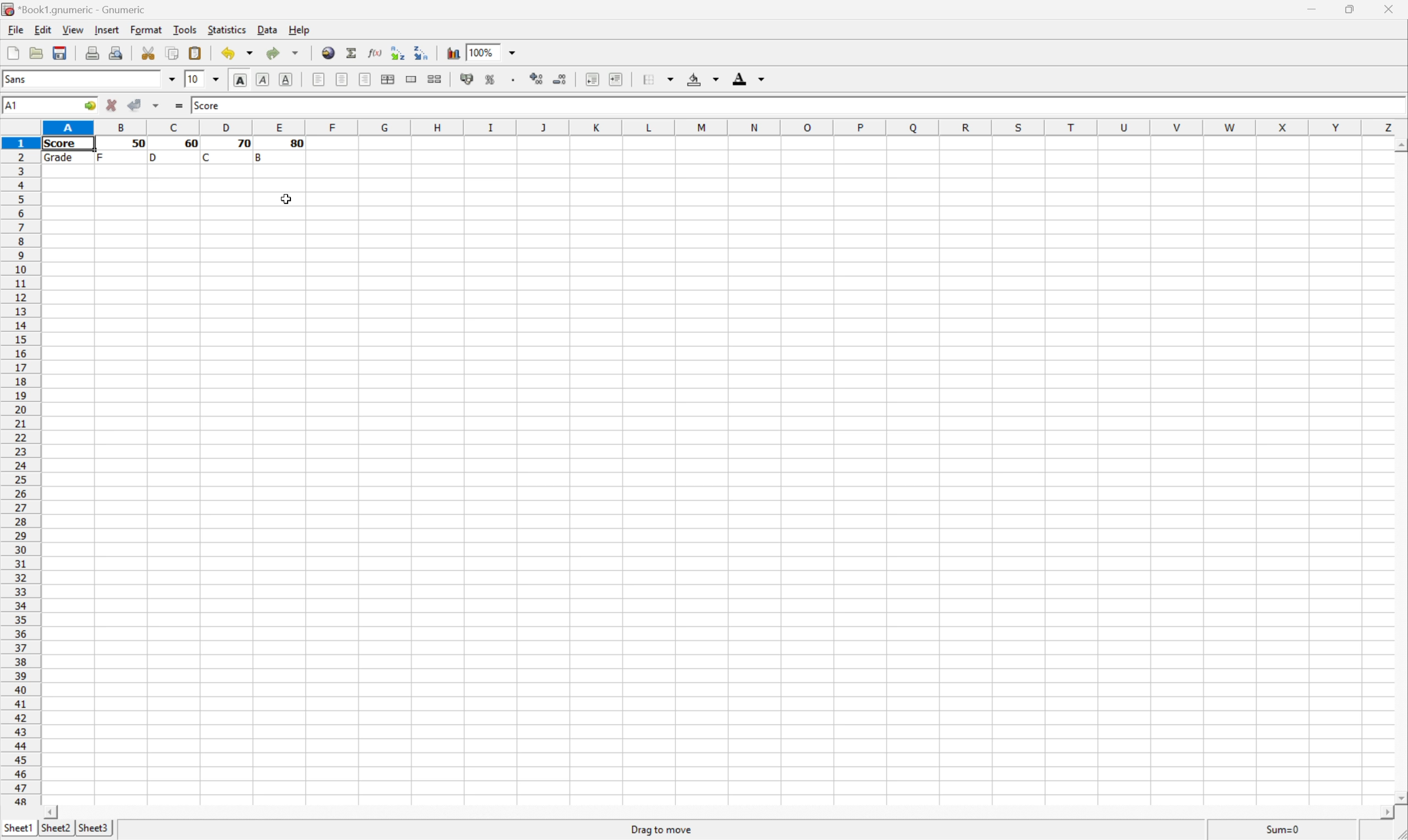 The height and width of the screenshot is (840, 1408). Describe the element at coordinates (227, 28) in the screenshot. I see `Statistics` at that location.